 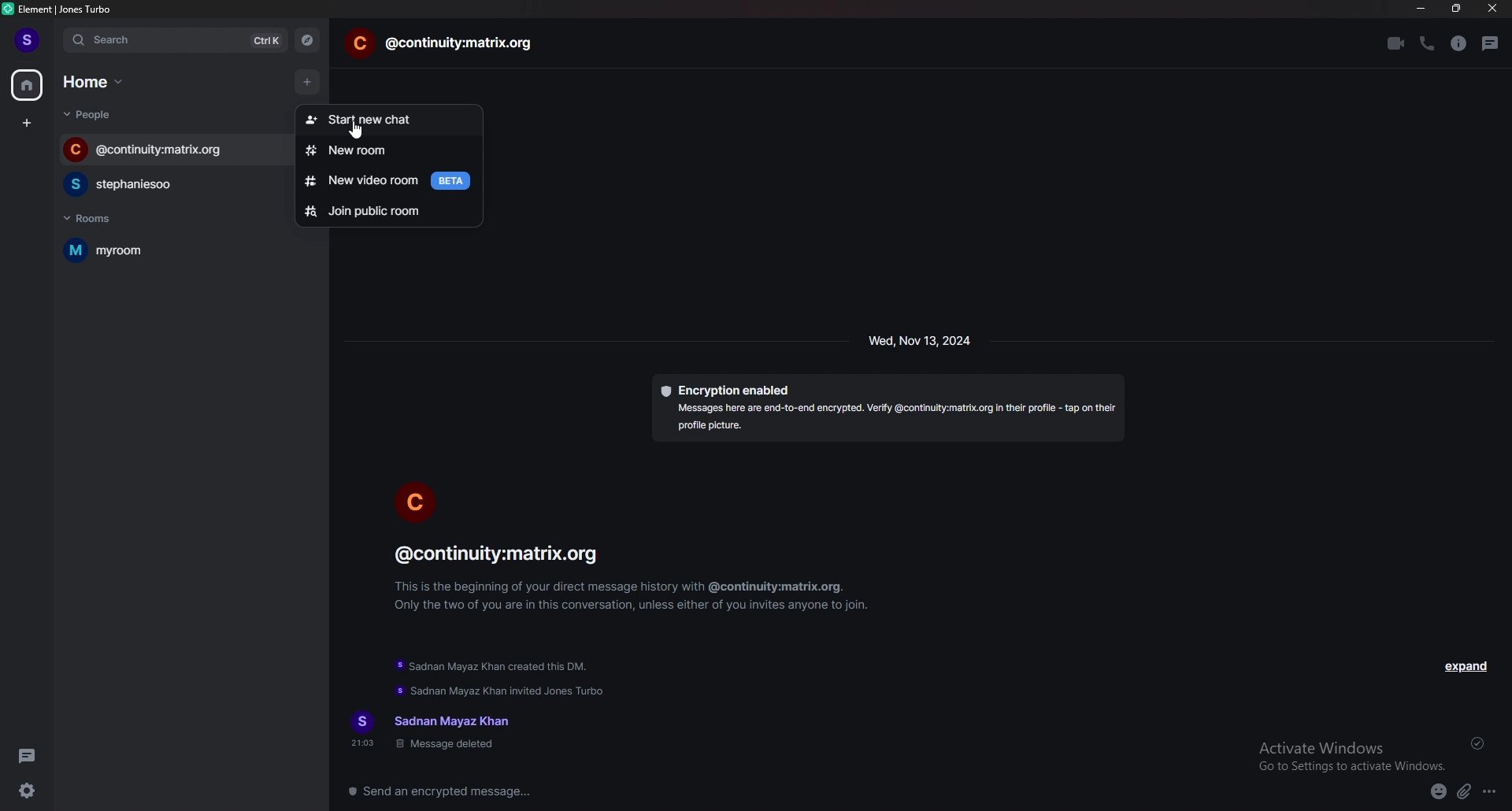 I want to click on new video room, so click(x=389, y=181).